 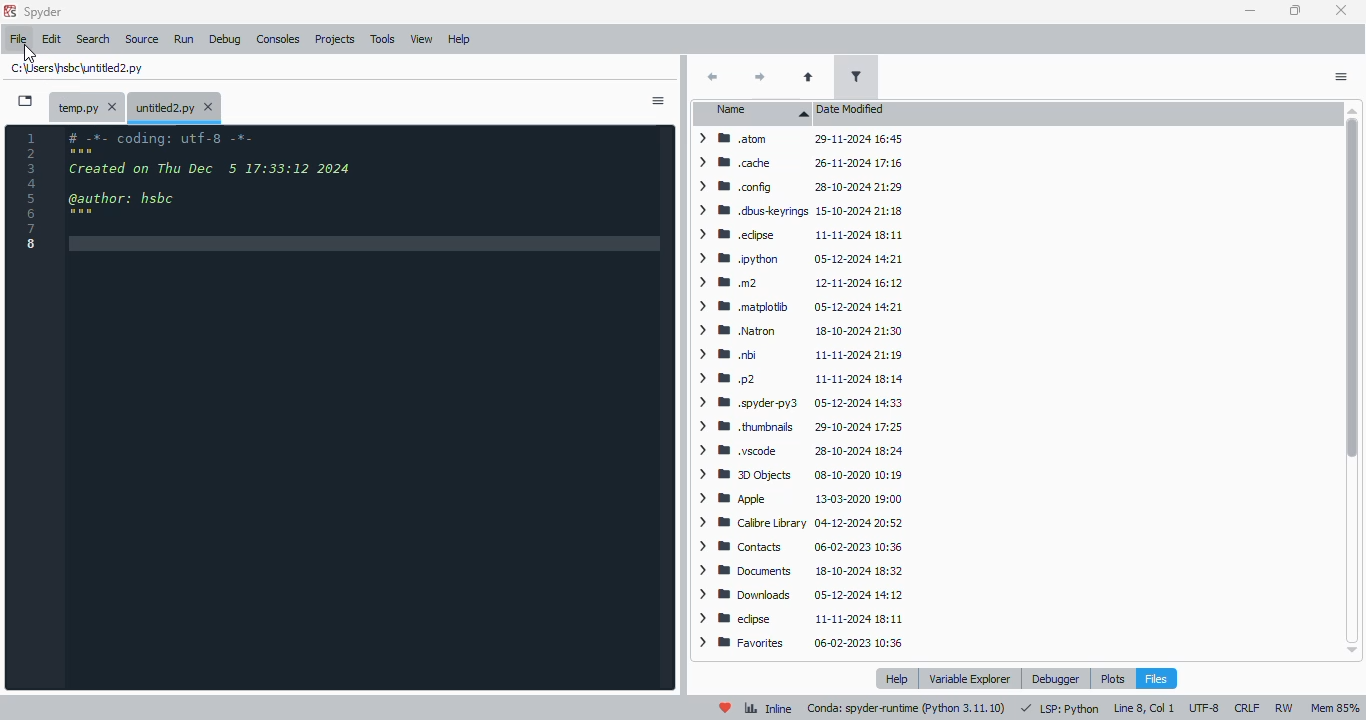 I want to click on debugger, so click(x=1054, y=678).